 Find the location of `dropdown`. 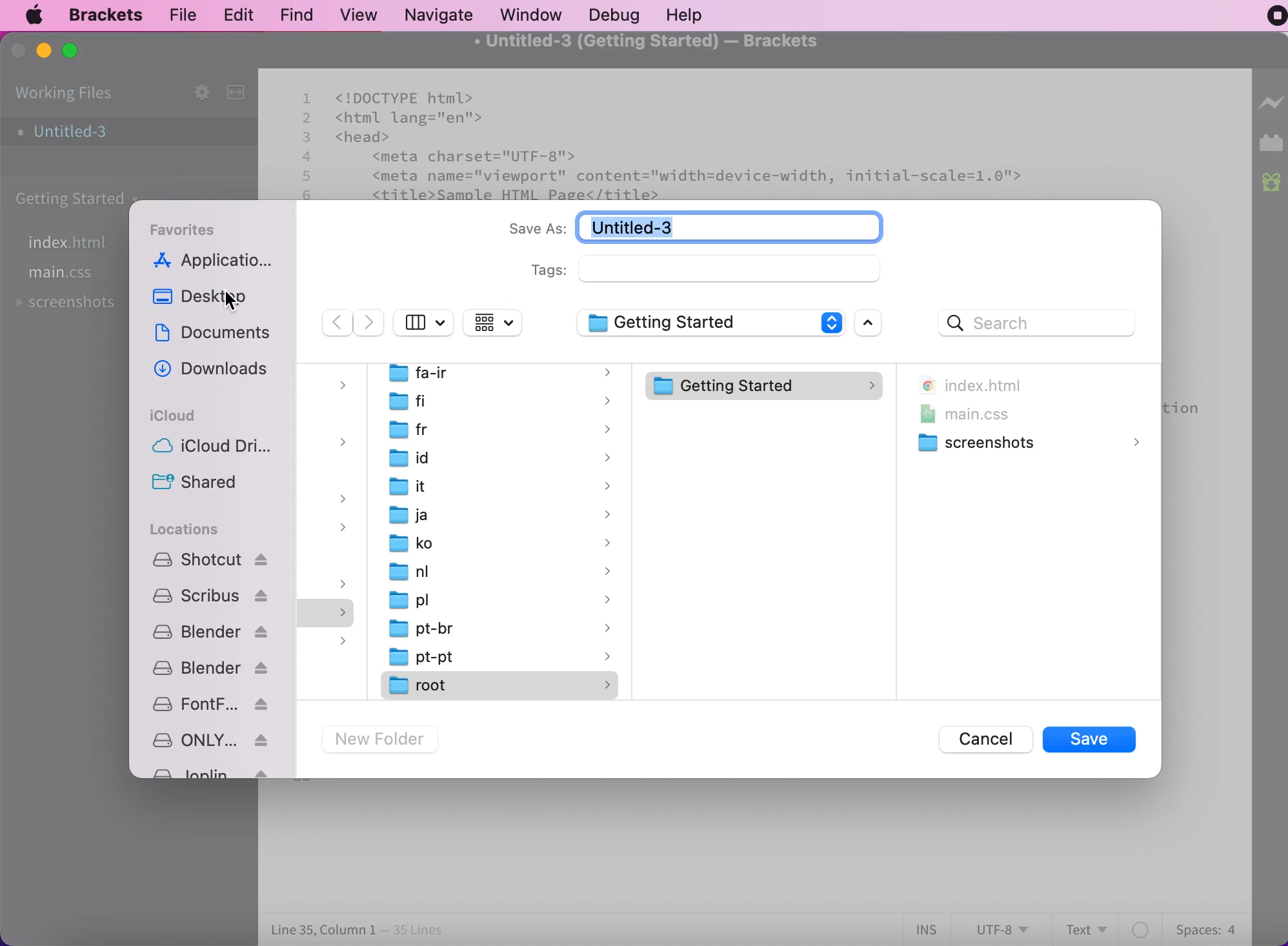

dropdown is located at coordinates (341, 442).